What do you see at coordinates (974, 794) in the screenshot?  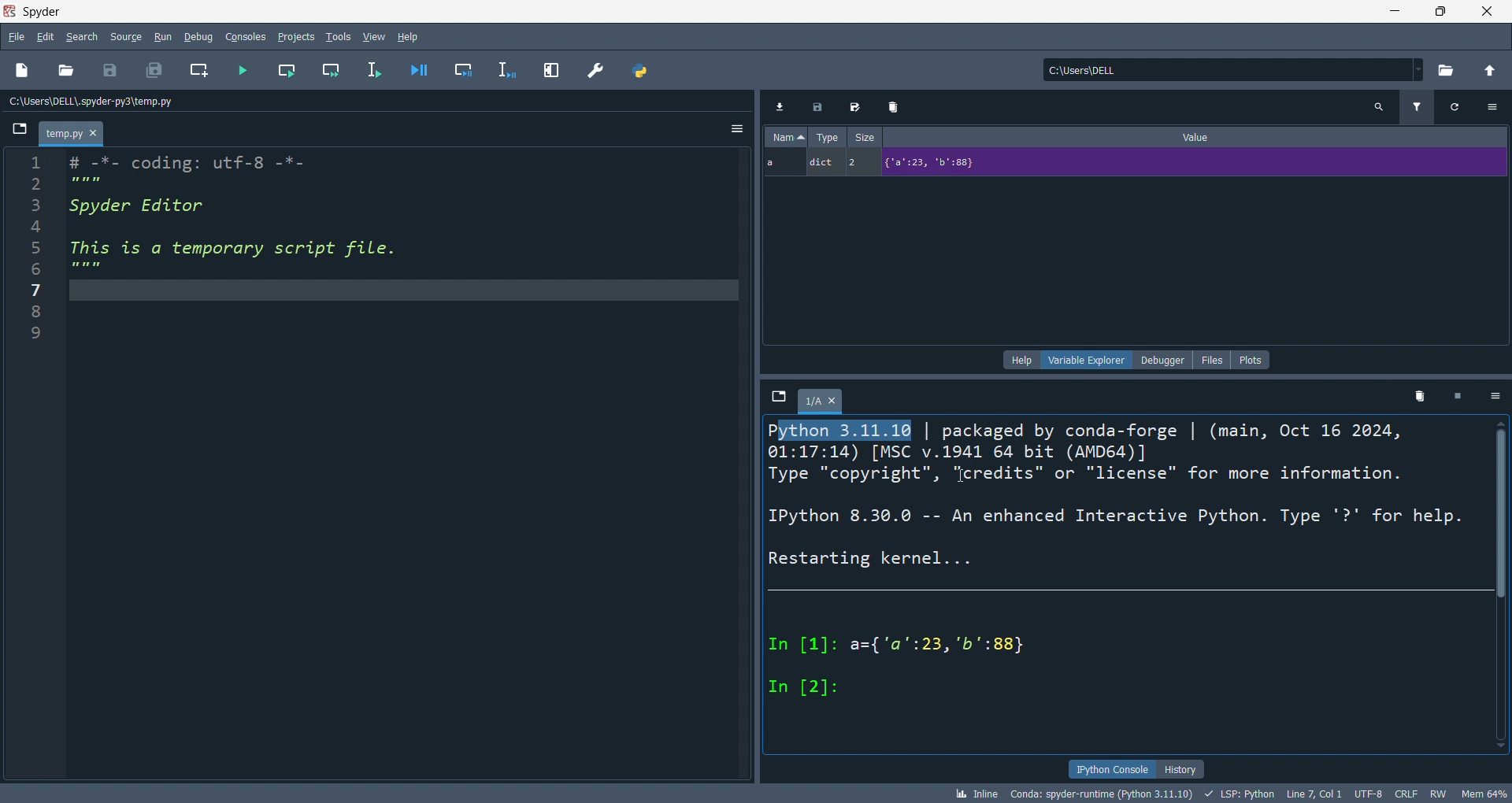 I see `inline` at bounding box center [974, 794].